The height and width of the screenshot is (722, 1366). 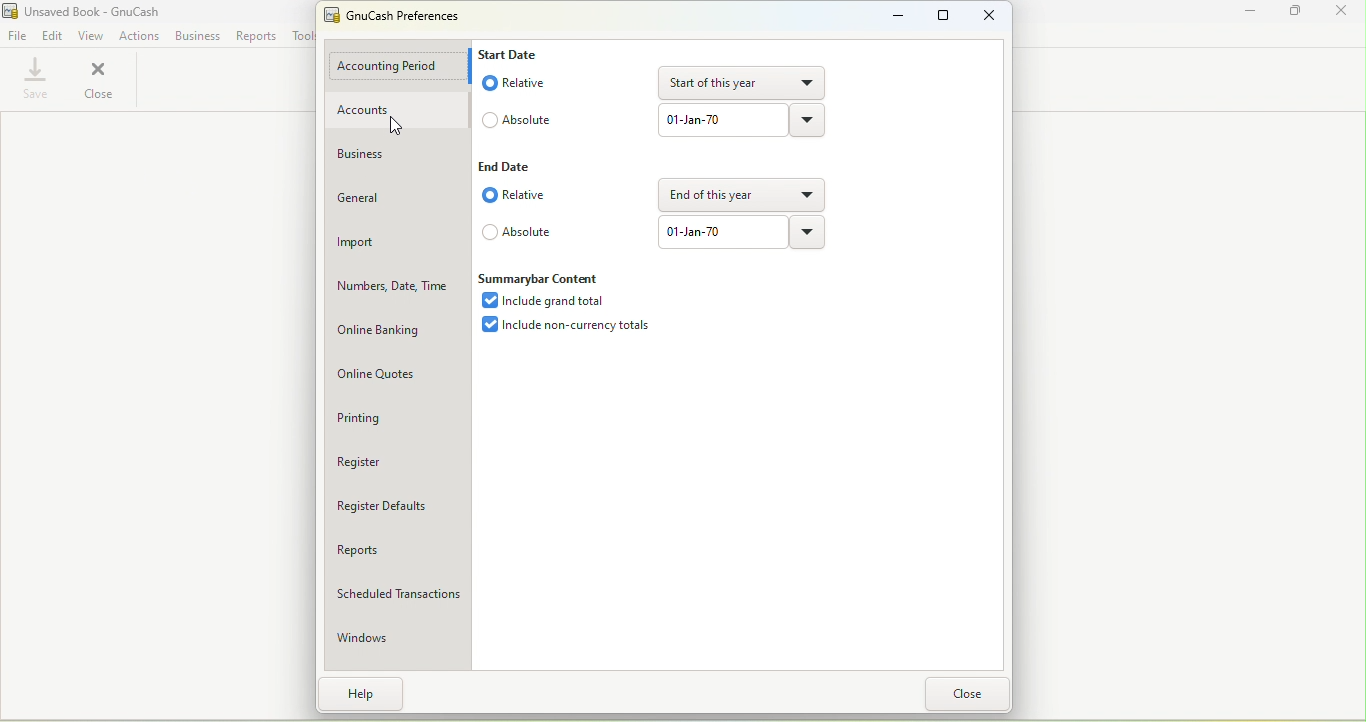 I want to click on Close, so click(x=99, y=80).